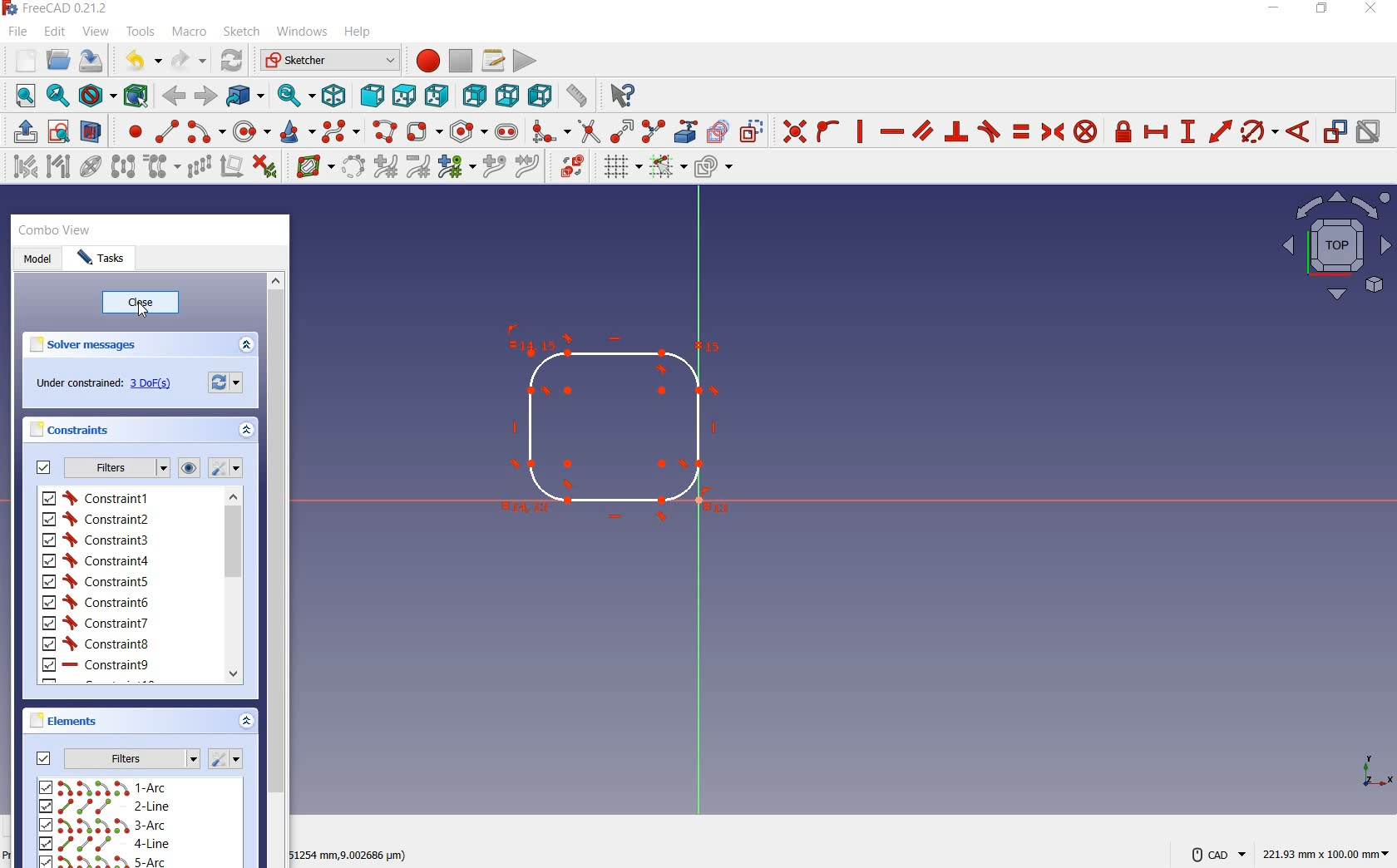 The height and width of the screenshot is (868, 1397). Describe the element at coordinates (352, 167) in the screenshot. I see `convert geometry to b-spline` at that location.